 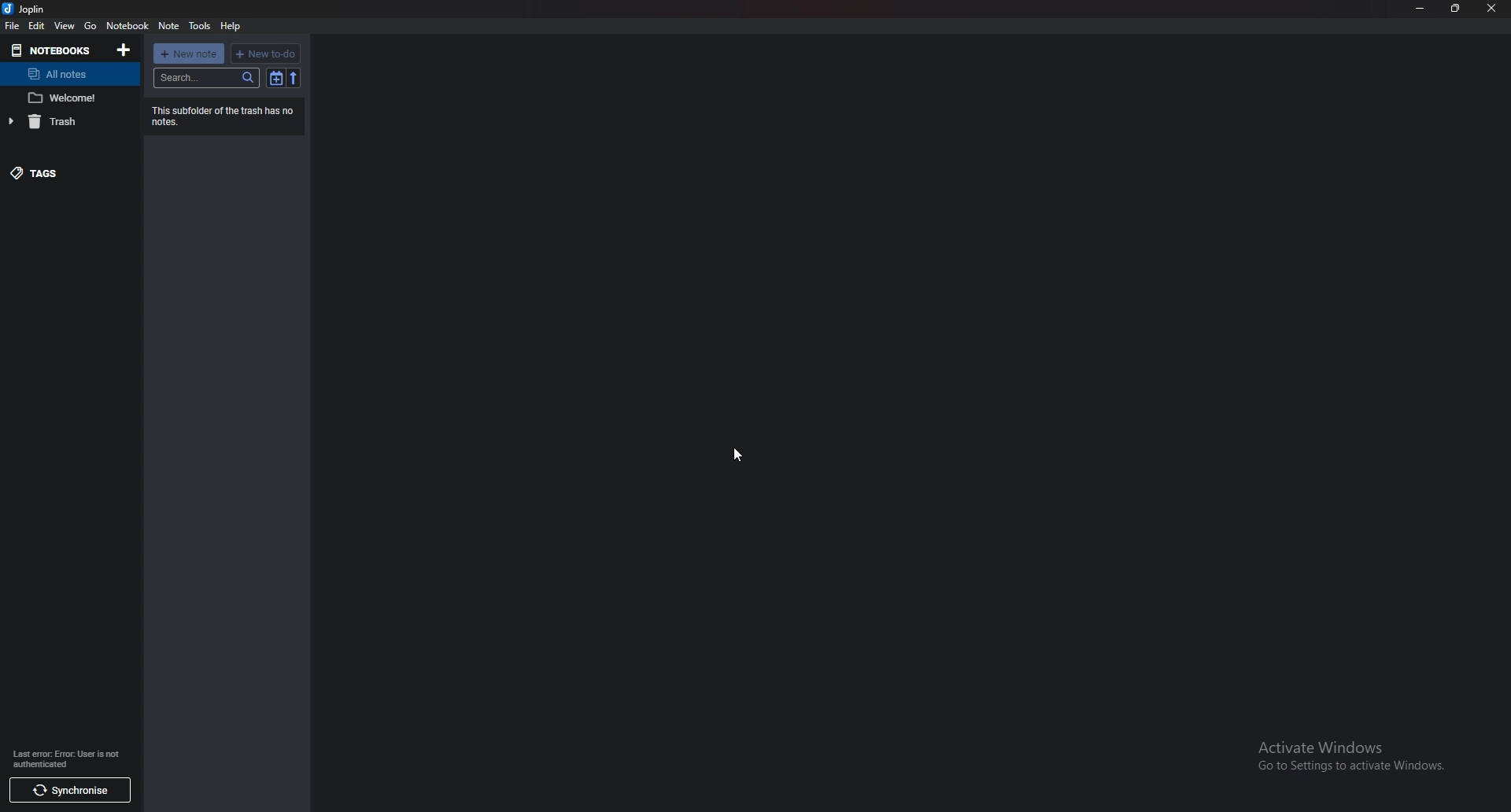 What do you see at coordinates (198, 25) in the screenshot?
I see `Tools` at bounding box center [198, 25].